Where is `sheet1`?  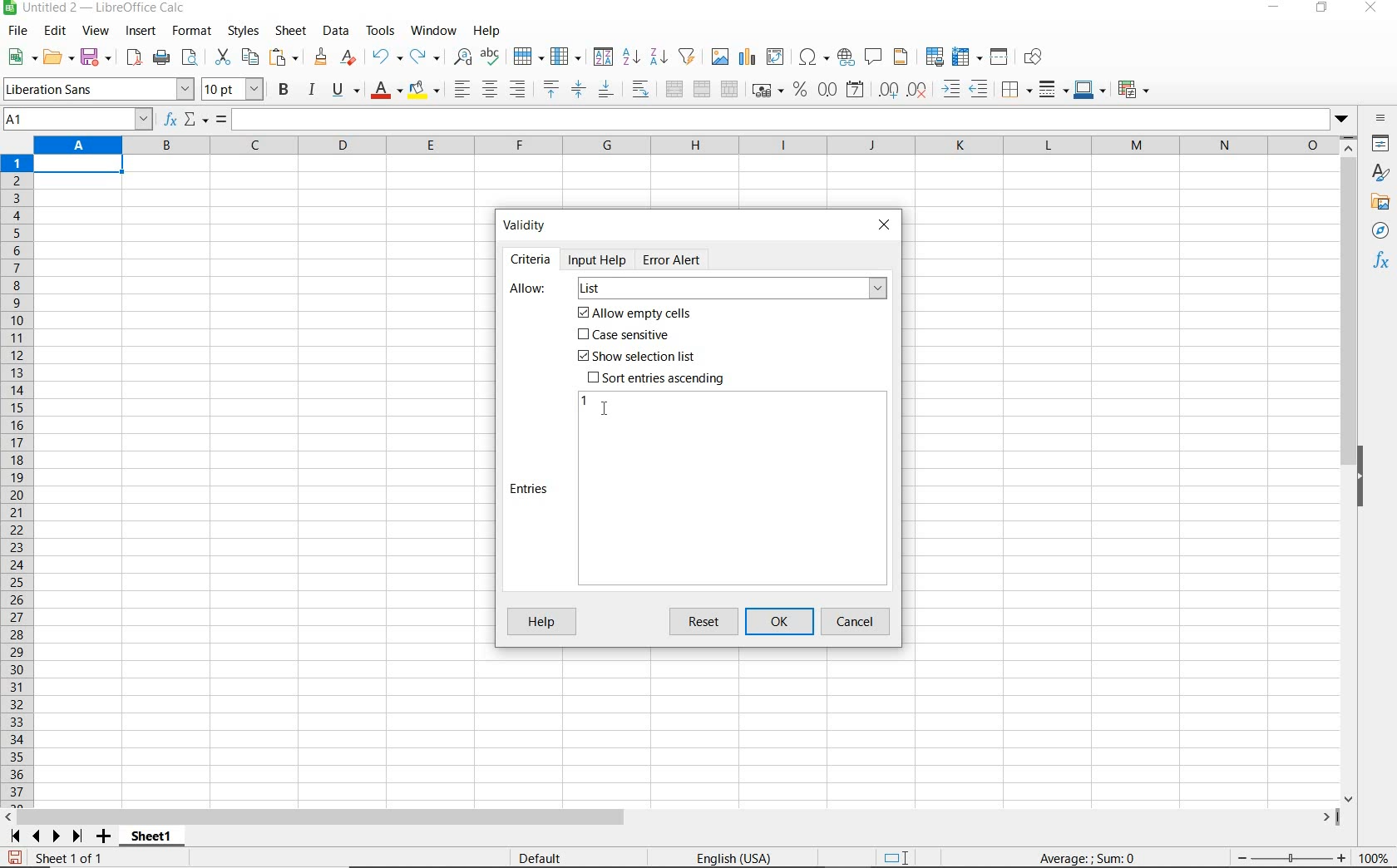
sheet1 is located at coordinates (151, 839).